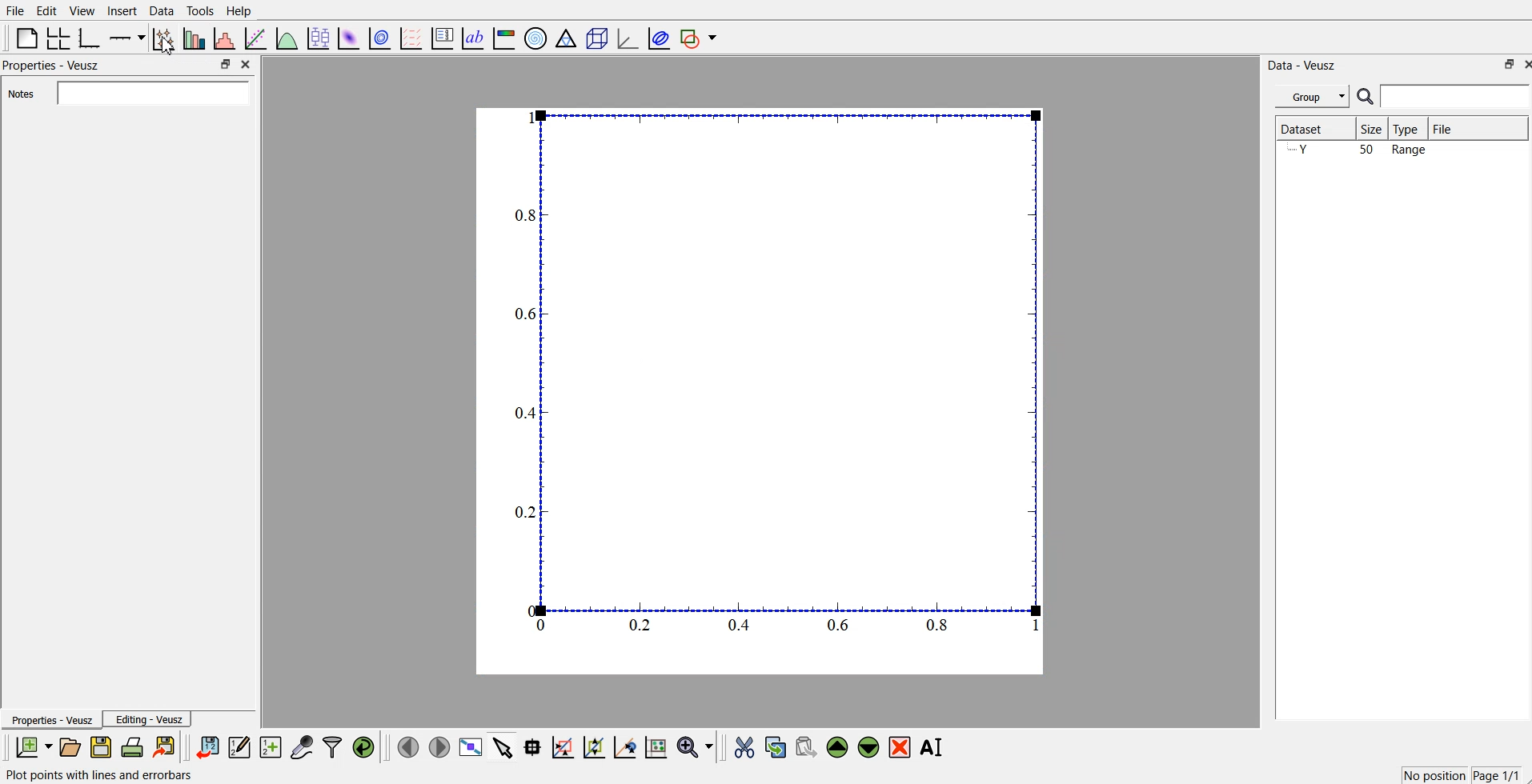  What do you see at coordinates (35, 746) in the screenshot?
I see `new document` at bounding box center [35, 746].